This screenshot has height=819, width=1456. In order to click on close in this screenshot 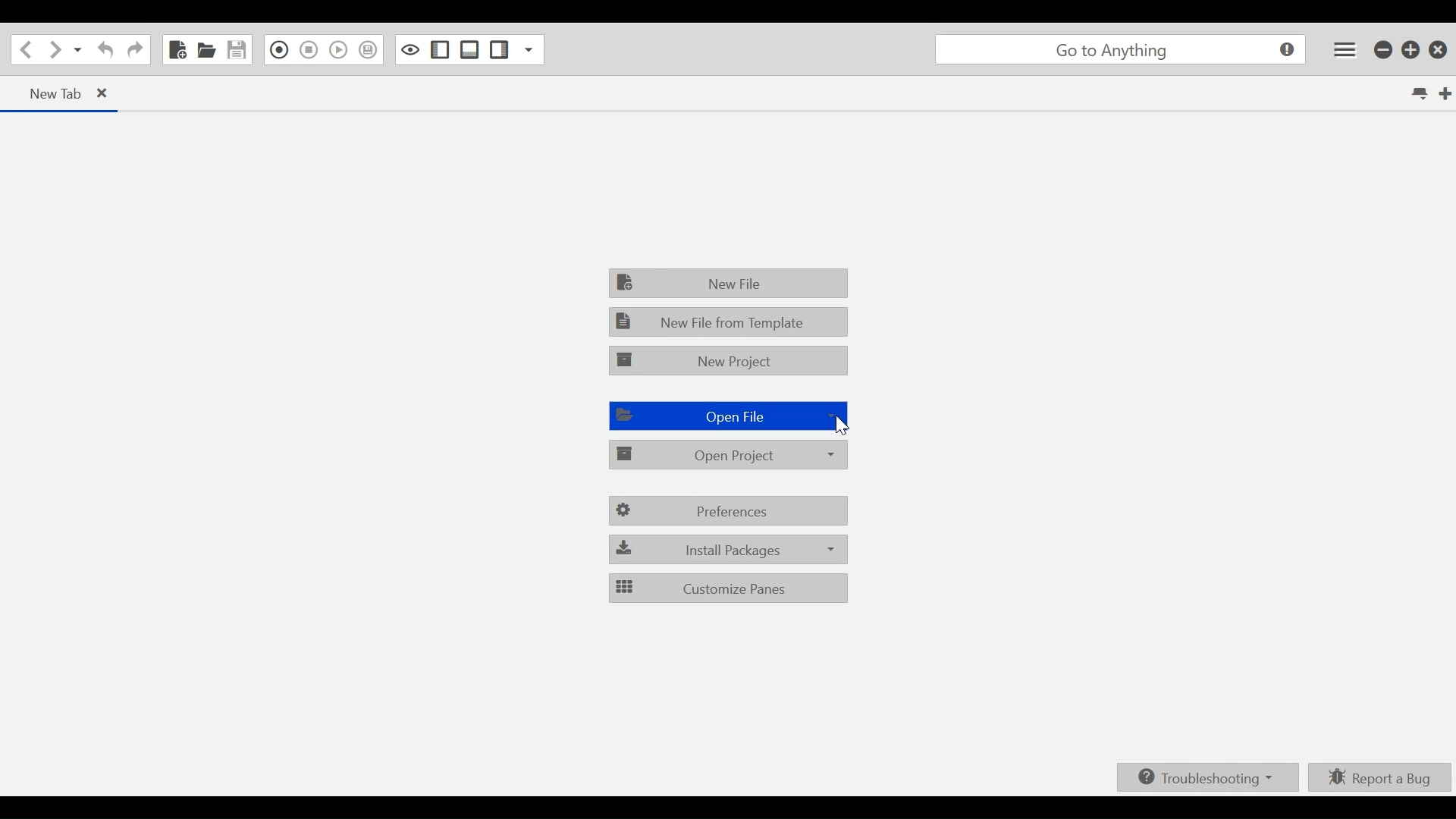, I will do `click(108, 93)`.